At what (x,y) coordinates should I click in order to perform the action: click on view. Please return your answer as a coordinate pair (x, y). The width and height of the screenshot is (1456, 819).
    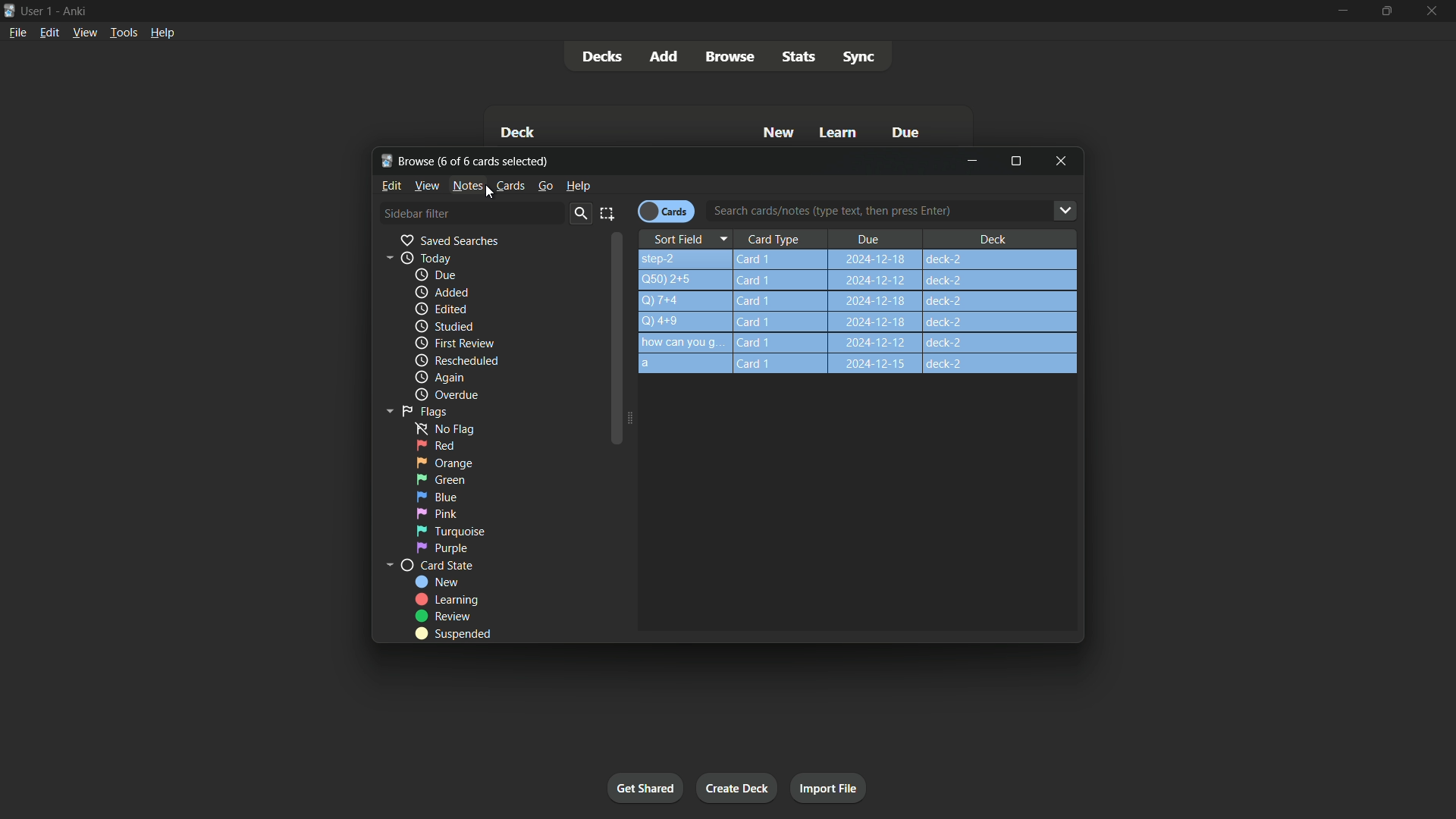
    Looking at the image, I should click on (428, 185).